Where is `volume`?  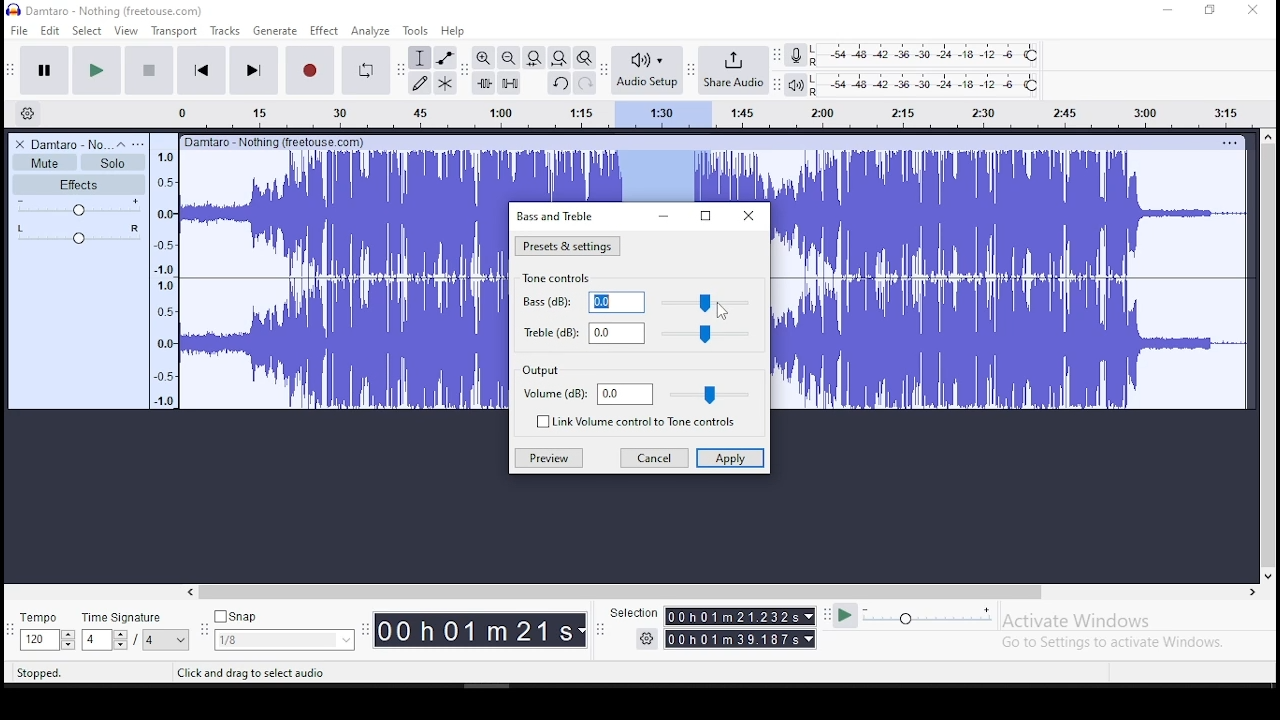
volume is located at coordinates (80, 207).